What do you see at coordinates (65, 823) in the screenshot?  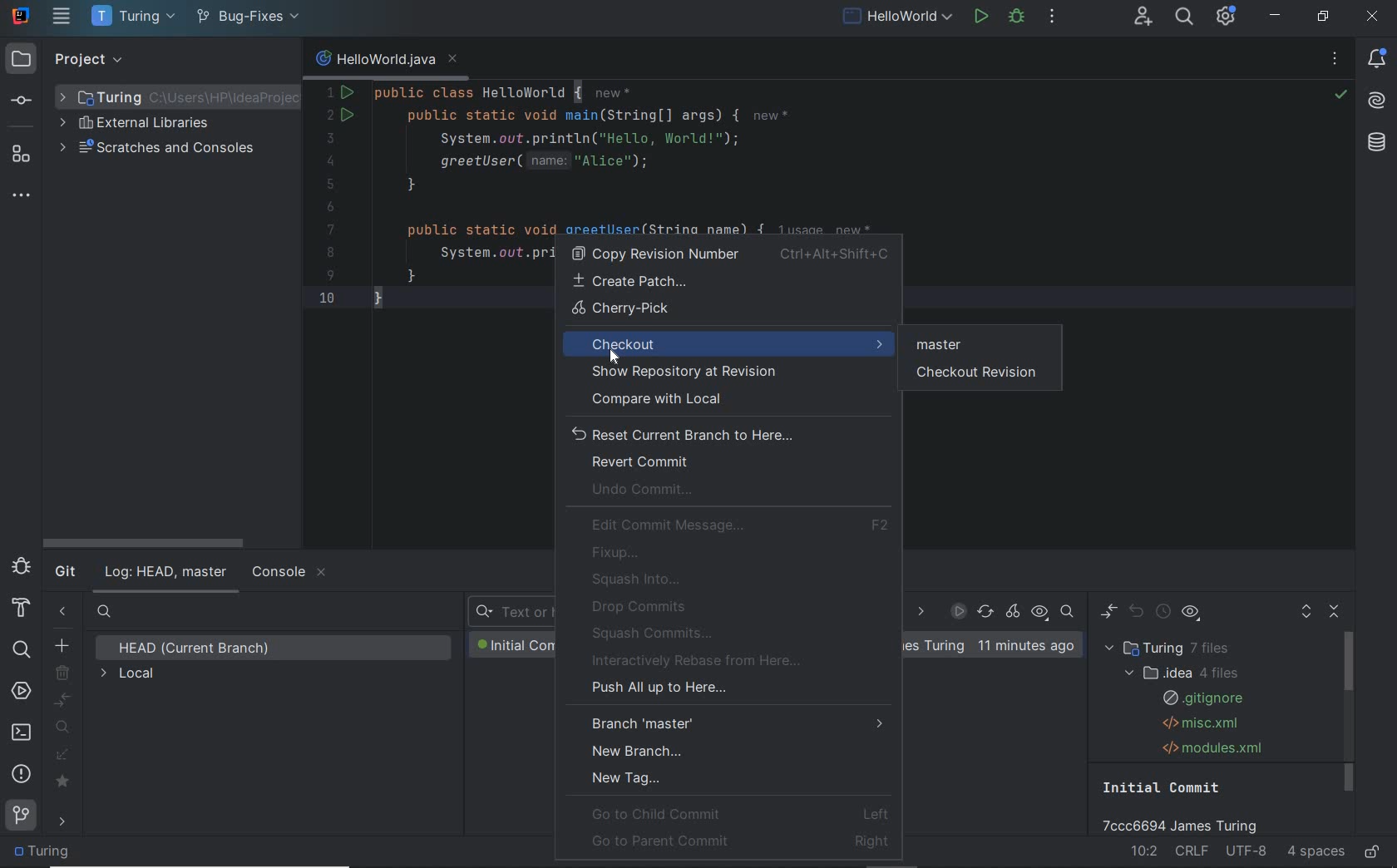 I see `navigate` at bounding box center [65, 823].